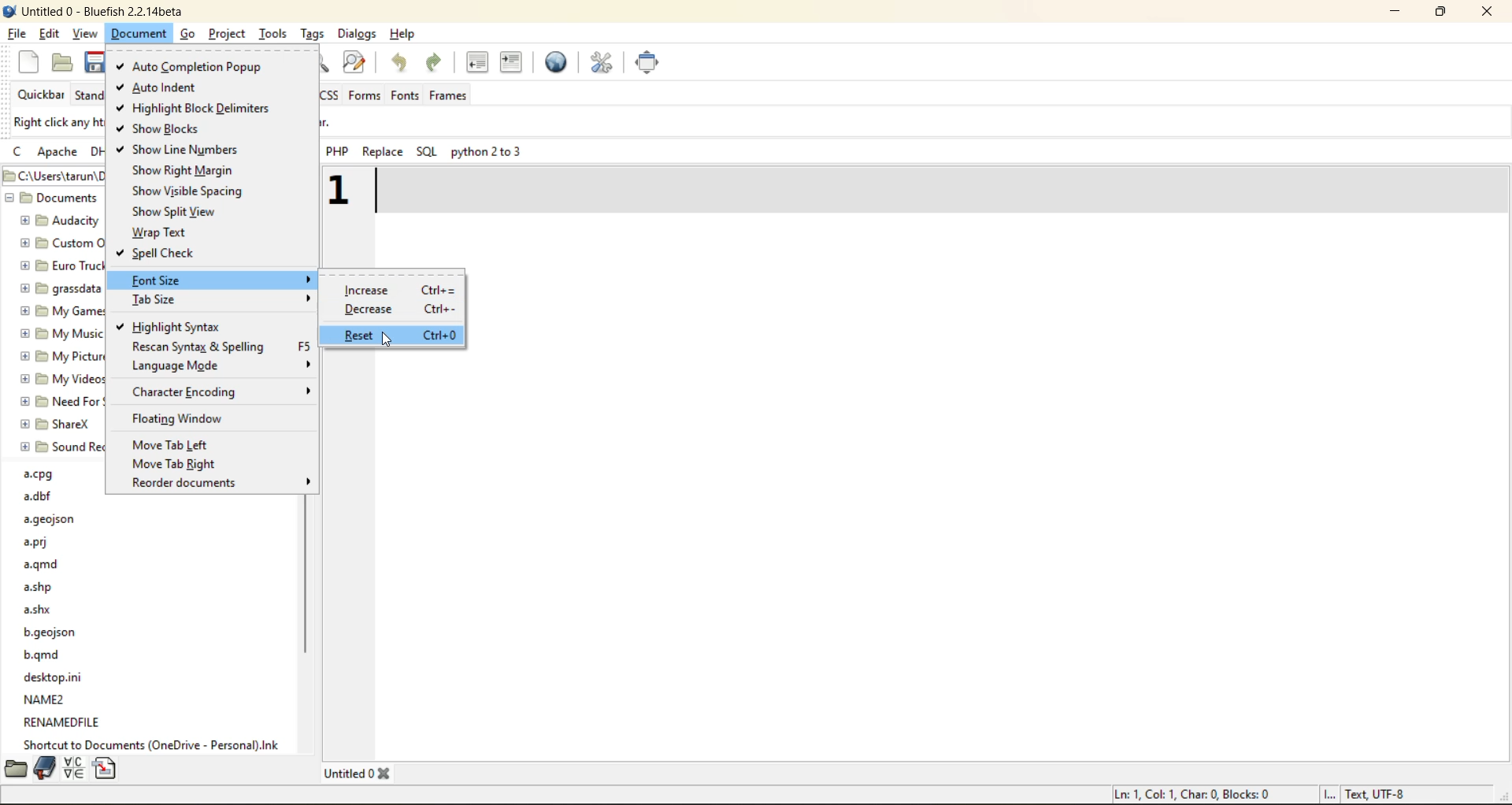 The width and height of the screenshot is (1512, 805). I want to click on find, so click(324, 64).